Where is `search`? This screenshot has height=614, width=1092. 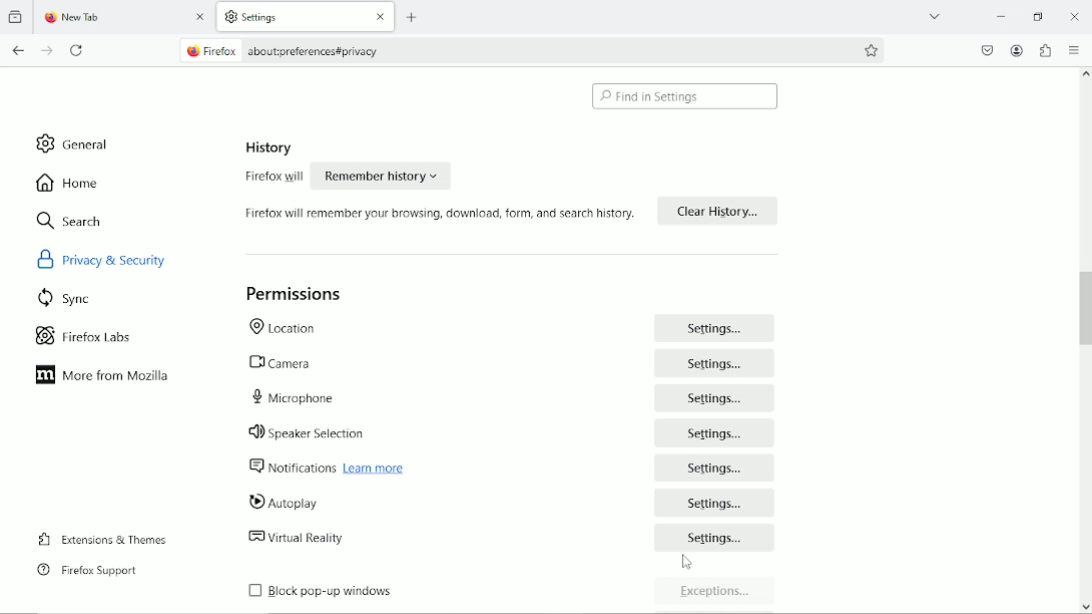
search is located at coordinates (70, 220).